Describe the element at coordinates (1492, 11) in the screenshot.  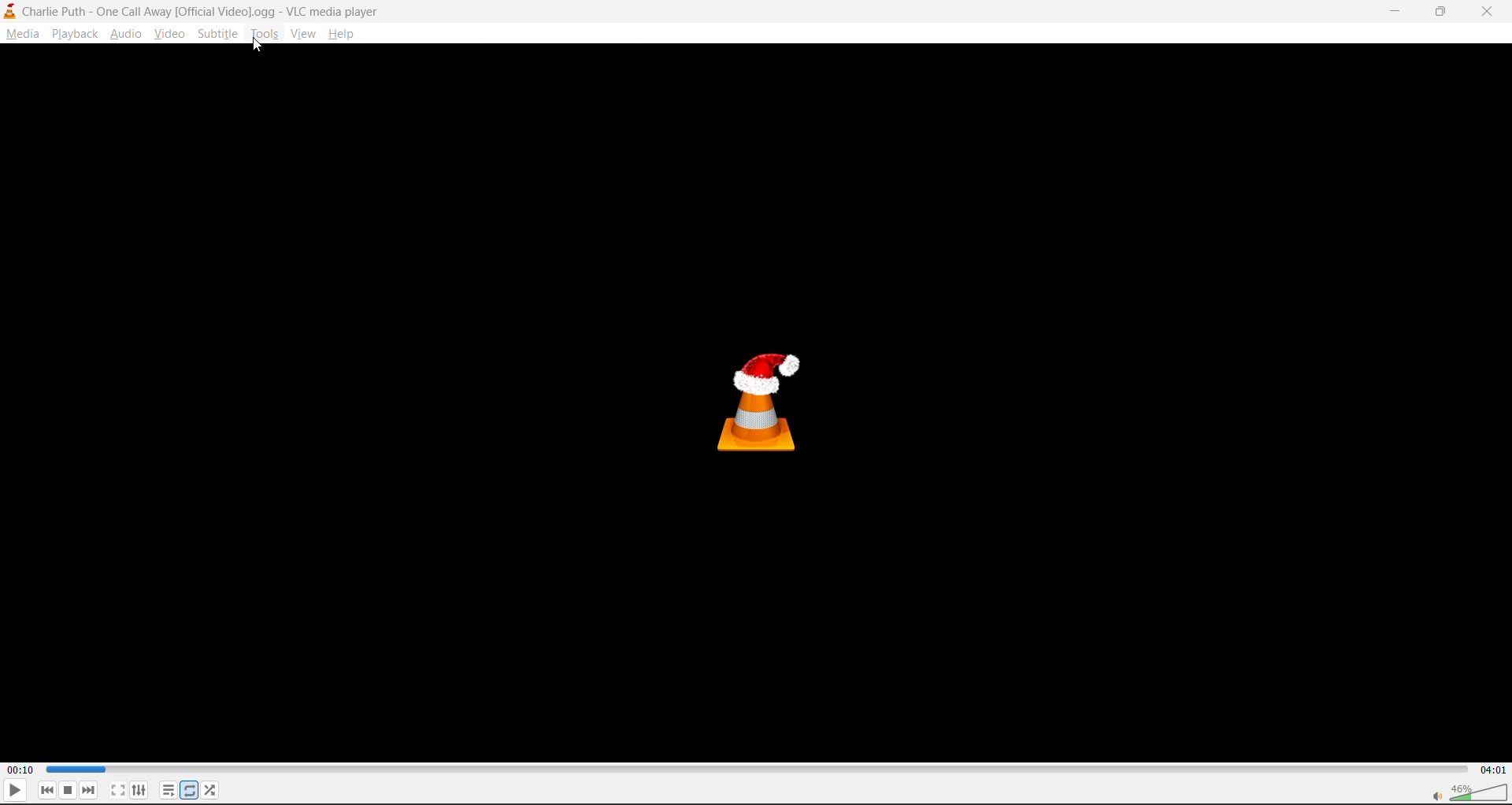
I see `close` at that location.